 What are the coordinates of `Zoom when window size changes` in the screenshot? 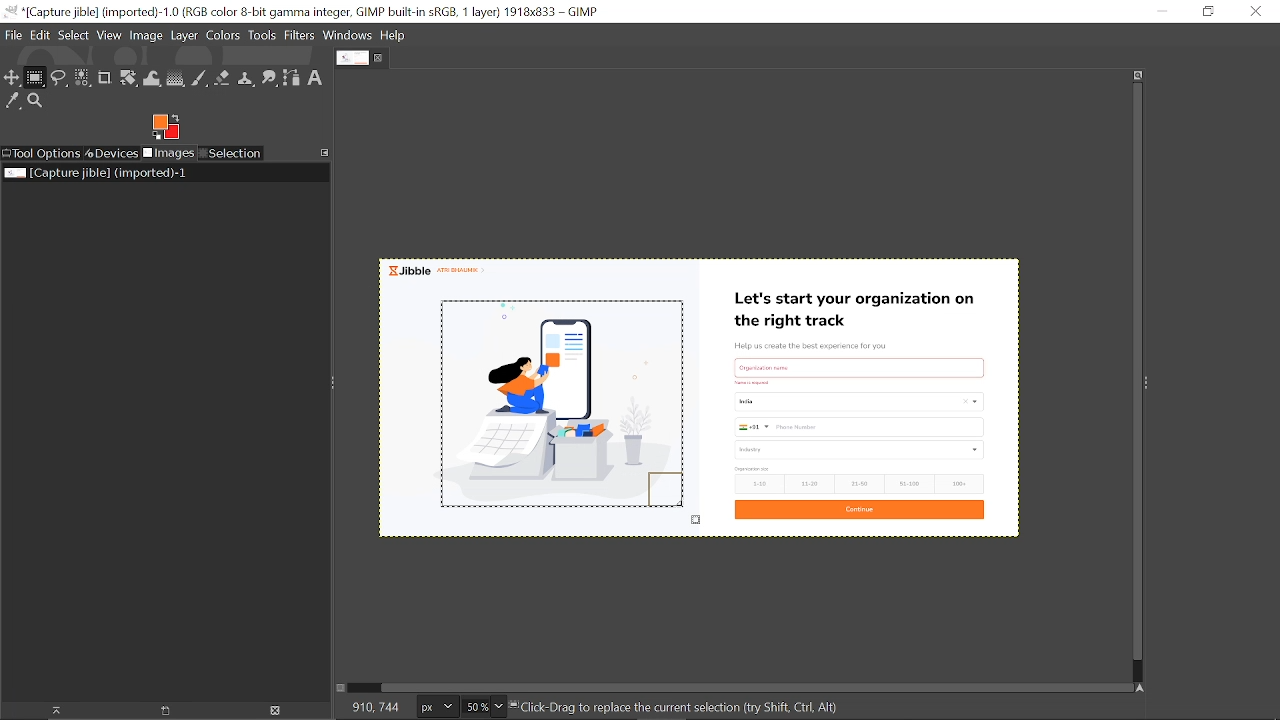 It's located at (1138, 75).